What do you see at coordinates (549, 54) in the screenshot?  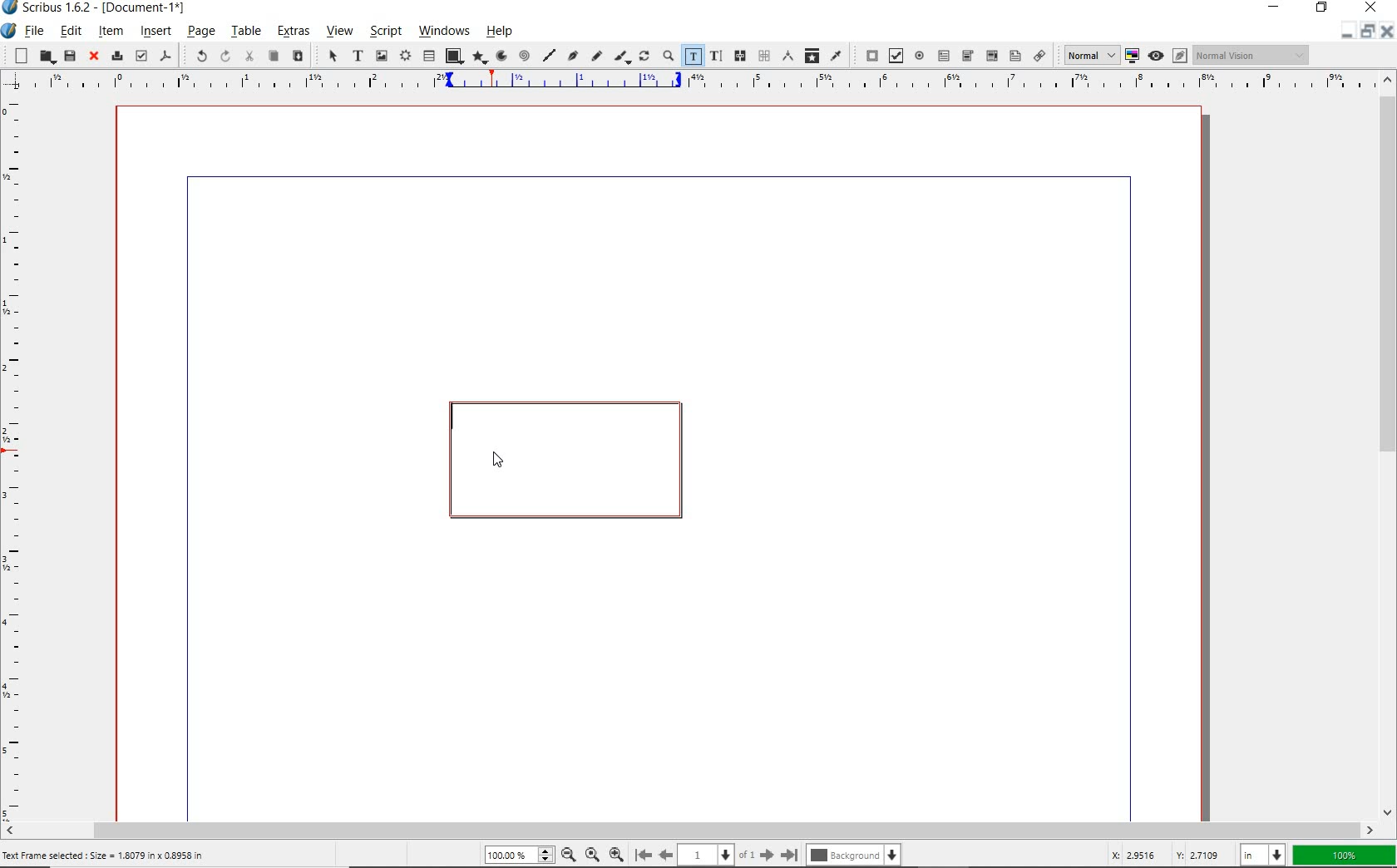 I see `line` at bounding box center [549, 54].